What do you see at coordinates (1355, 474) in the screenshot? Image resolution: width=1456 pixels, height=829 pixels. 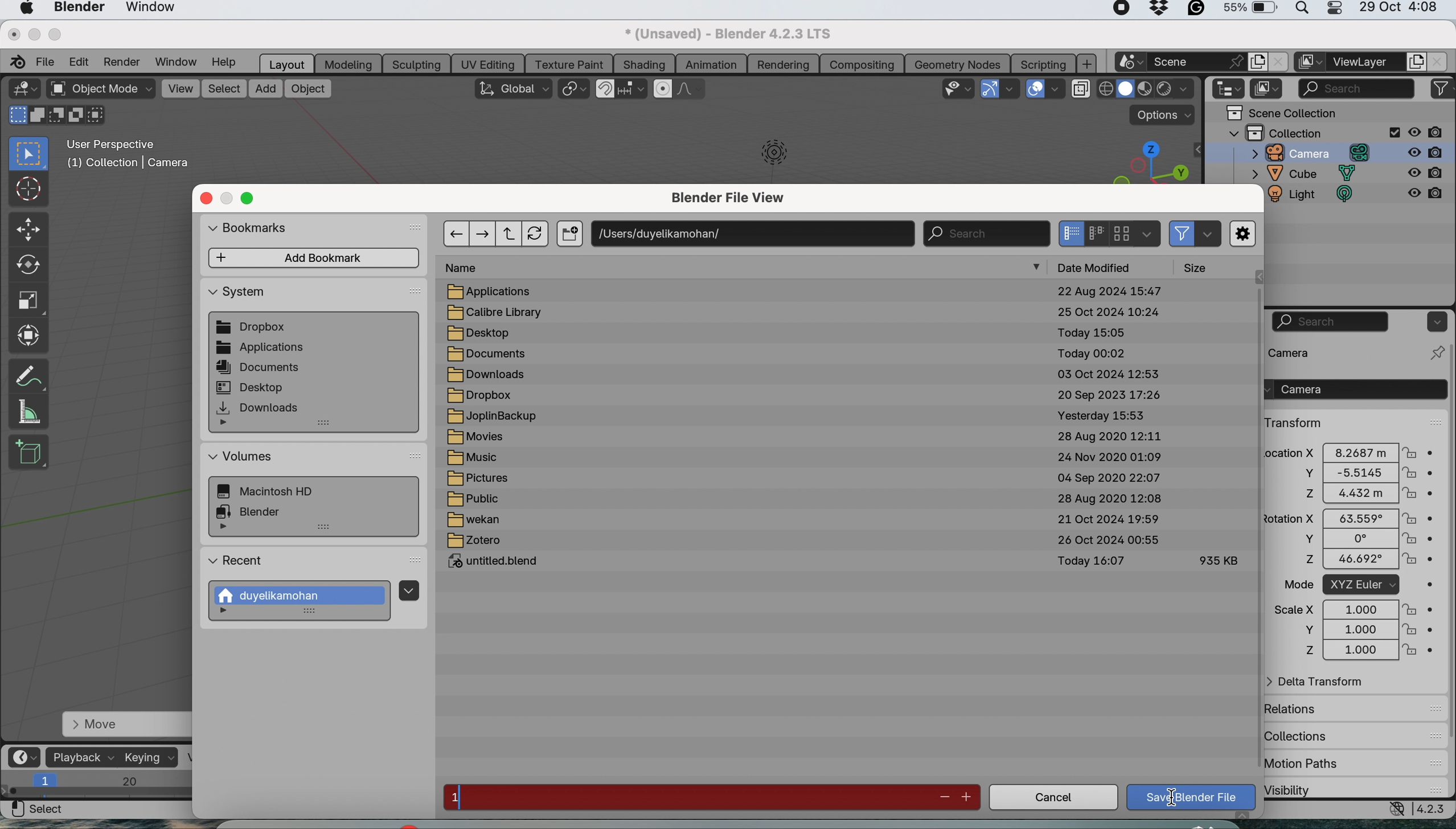 I see `y -5.5145` at bounding box center [1355, 474].